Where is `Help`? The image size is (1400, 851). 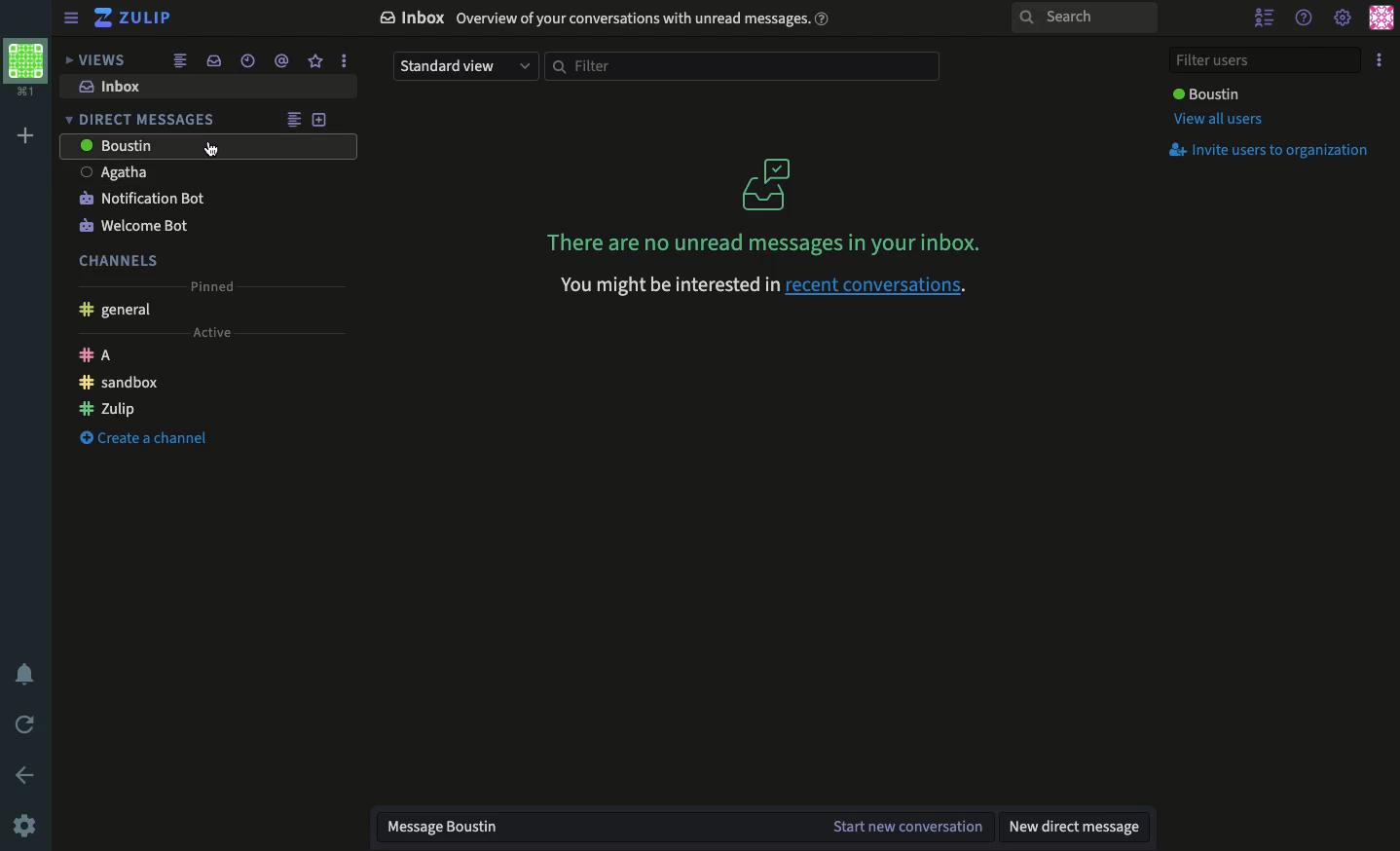 Help is located at coordinates (1305, 17).